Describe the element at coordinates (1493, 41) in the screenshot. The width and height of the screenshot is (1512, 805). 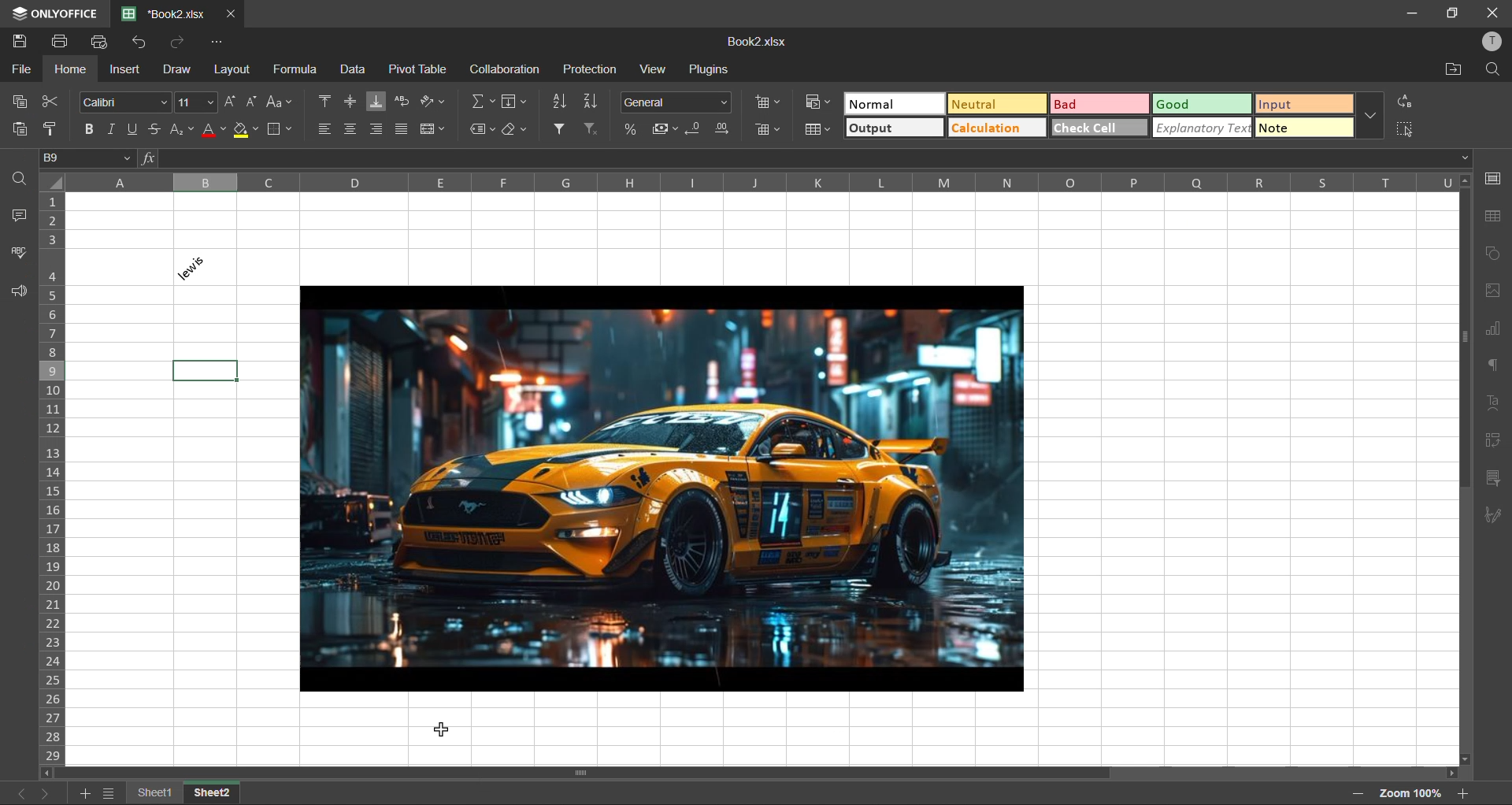
I see `profile` at that location.